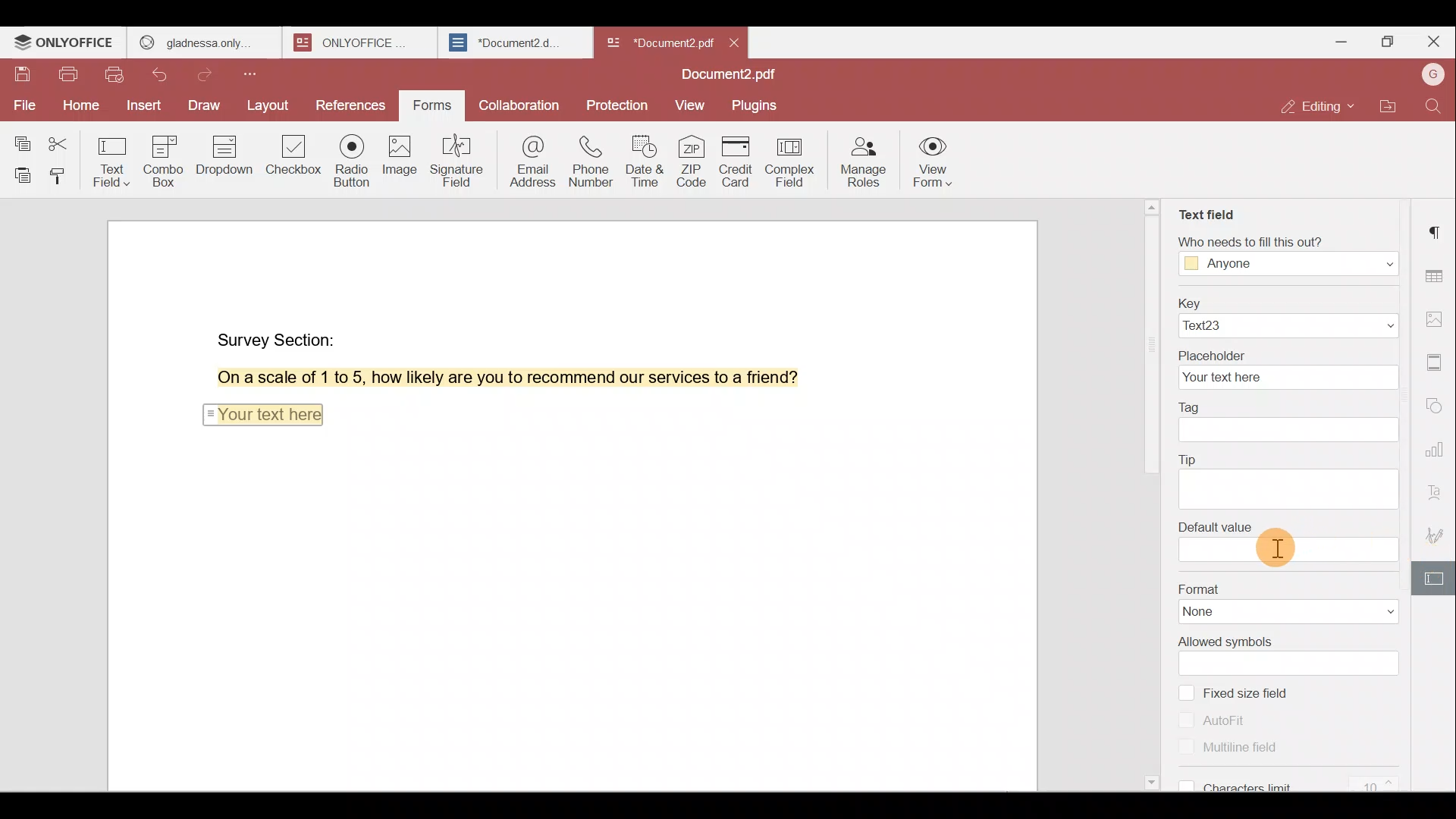 The width and height of the screenshot is (1456, 819). Describe the element at coordinates (862, 161) in the screenshot. I see `Manage roles` at that location.